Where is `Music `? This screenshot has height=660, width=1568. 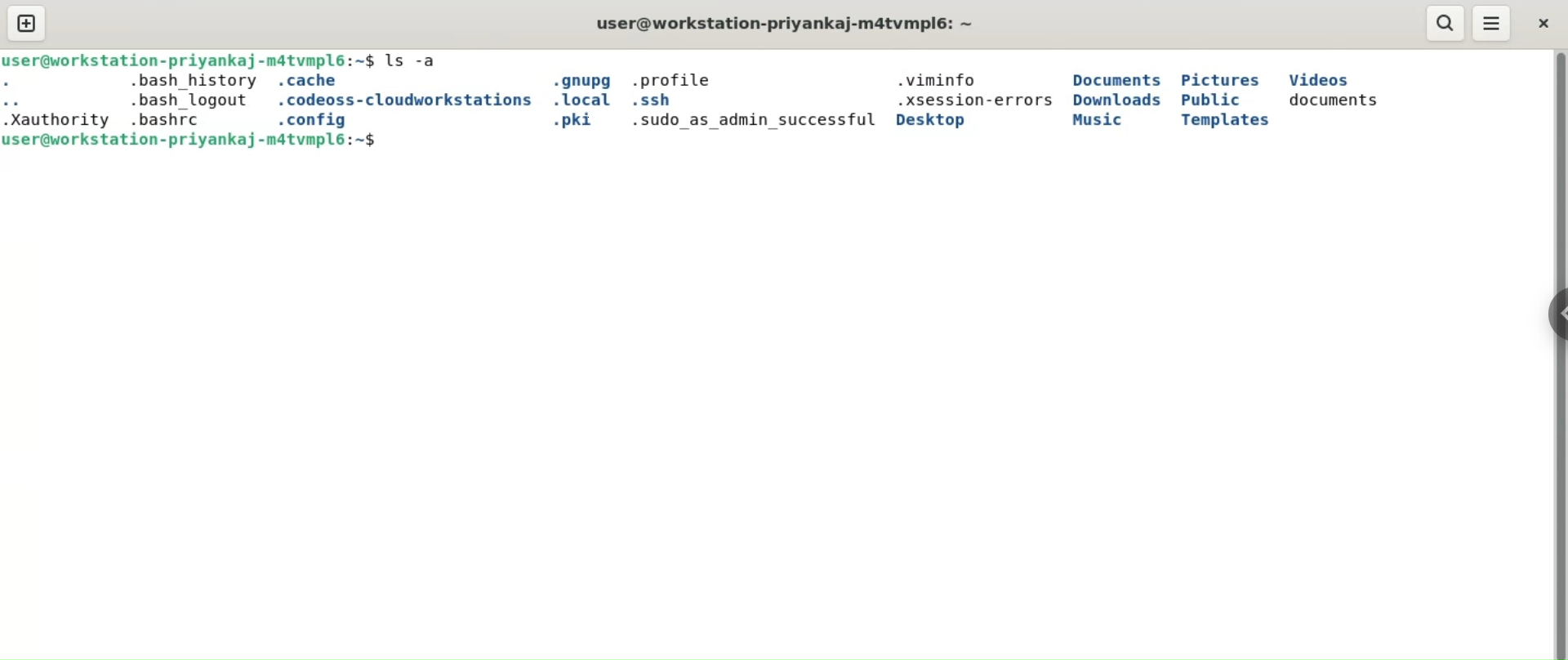 Music  is located at coordinates (1097, 121).